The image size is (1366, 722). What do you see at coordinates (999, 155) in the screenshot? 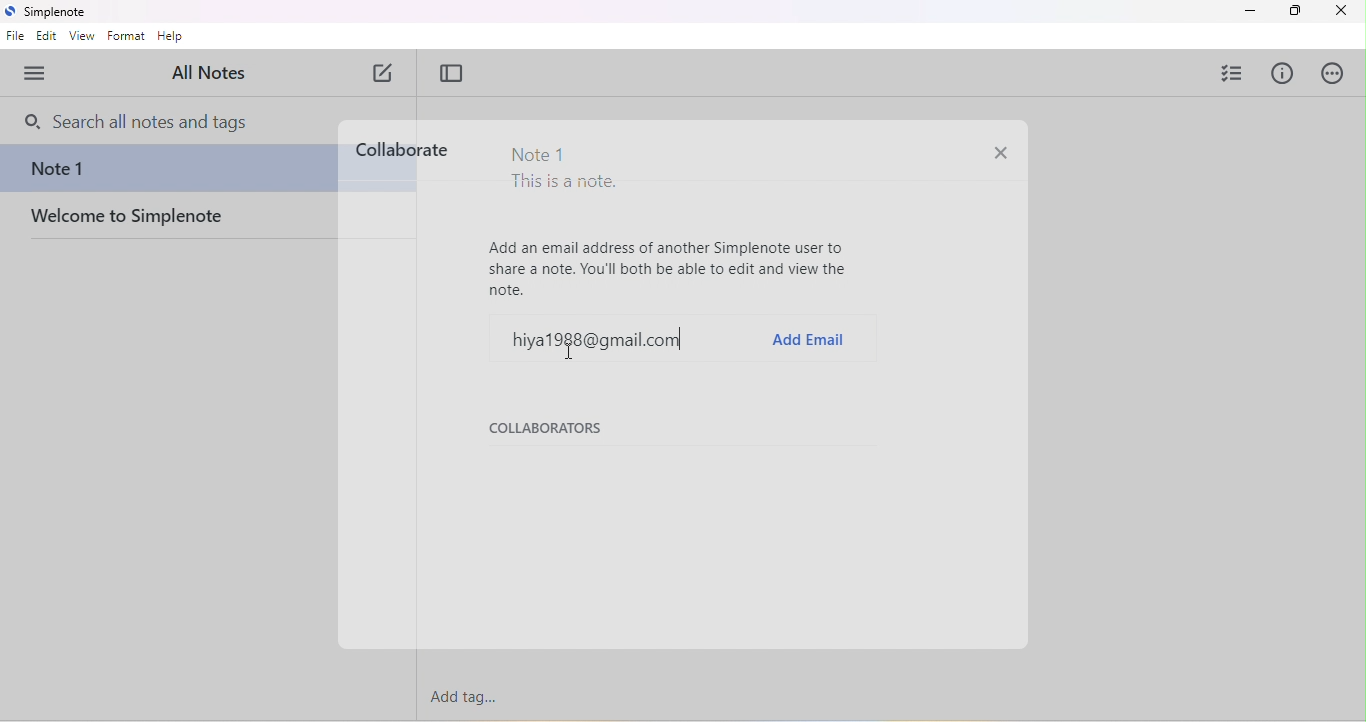
I see `close` at bounding box center [999, 155].